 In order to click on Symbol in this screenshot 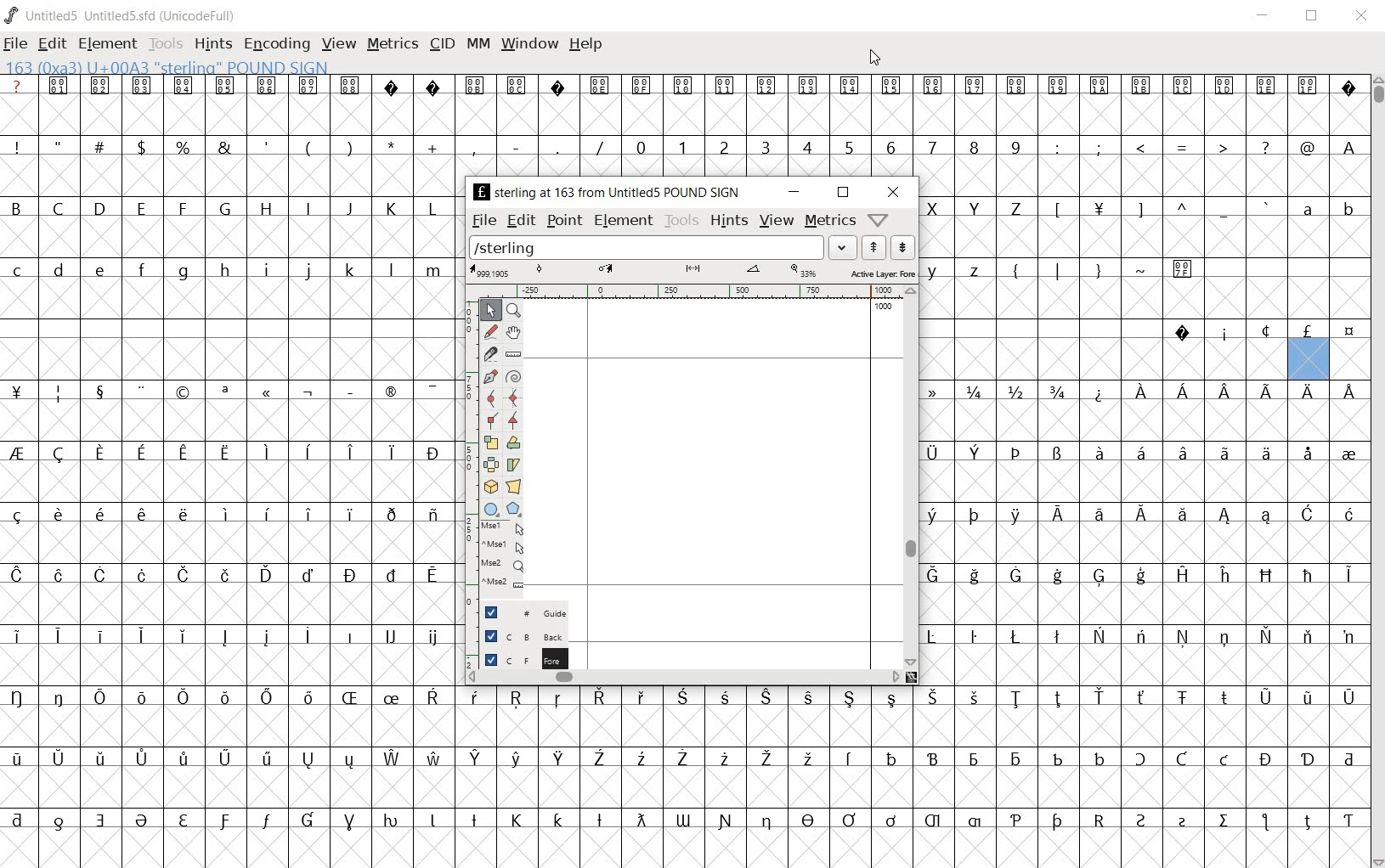, I will do `click(349, 822)`.